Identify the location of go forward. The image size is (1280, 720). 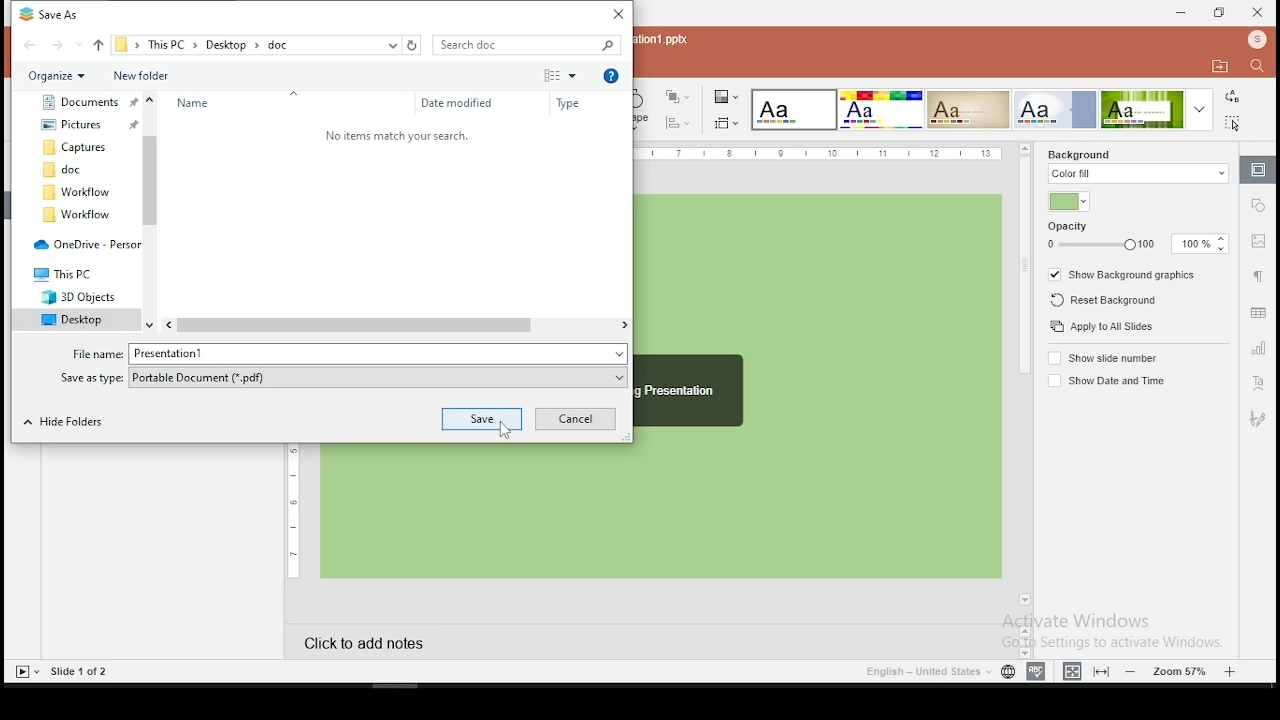
(65, 45).